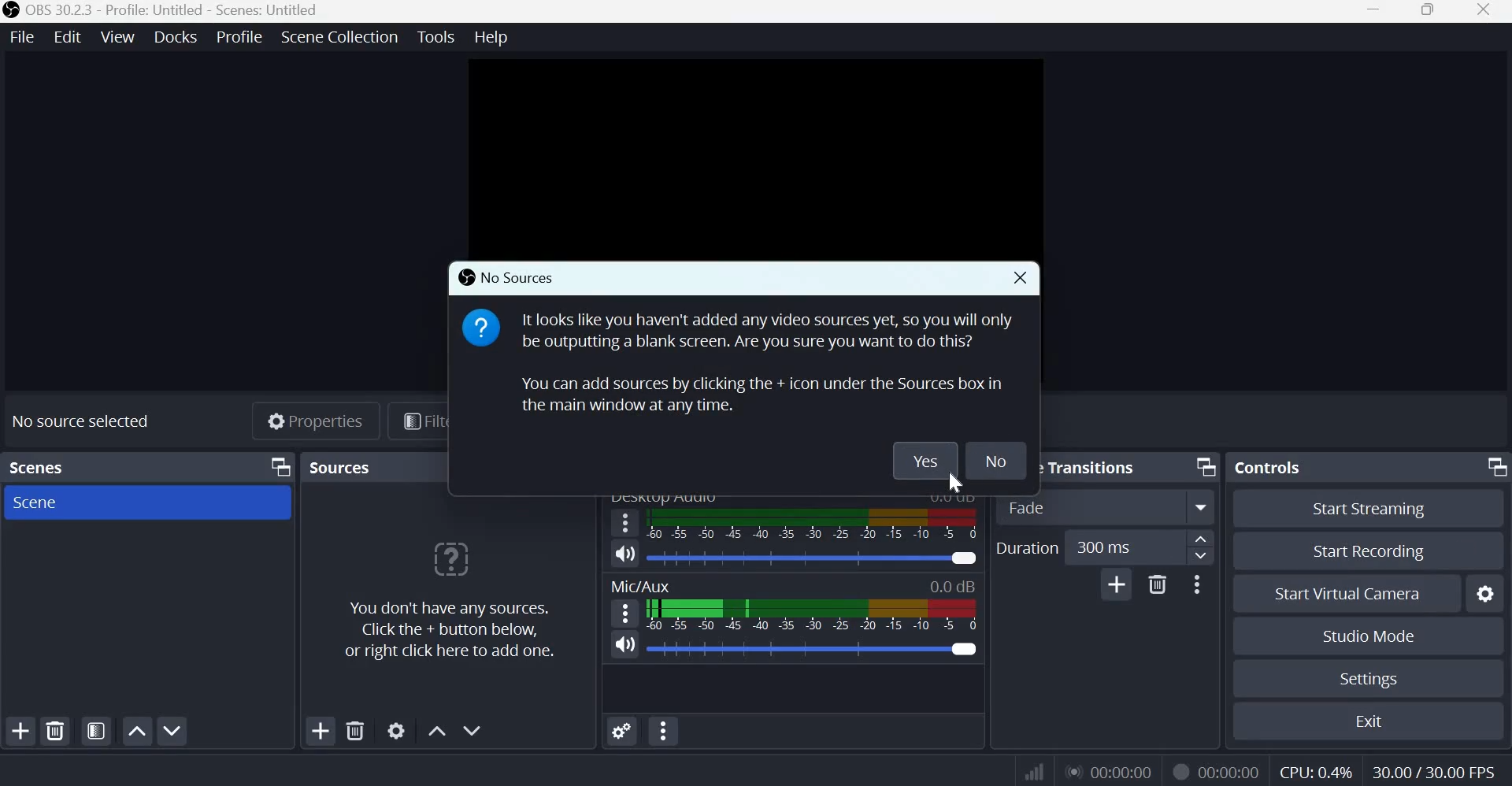 The width and height of the screenshot is (1512, 786). I want to click on Minimize, so click(1376, 11).